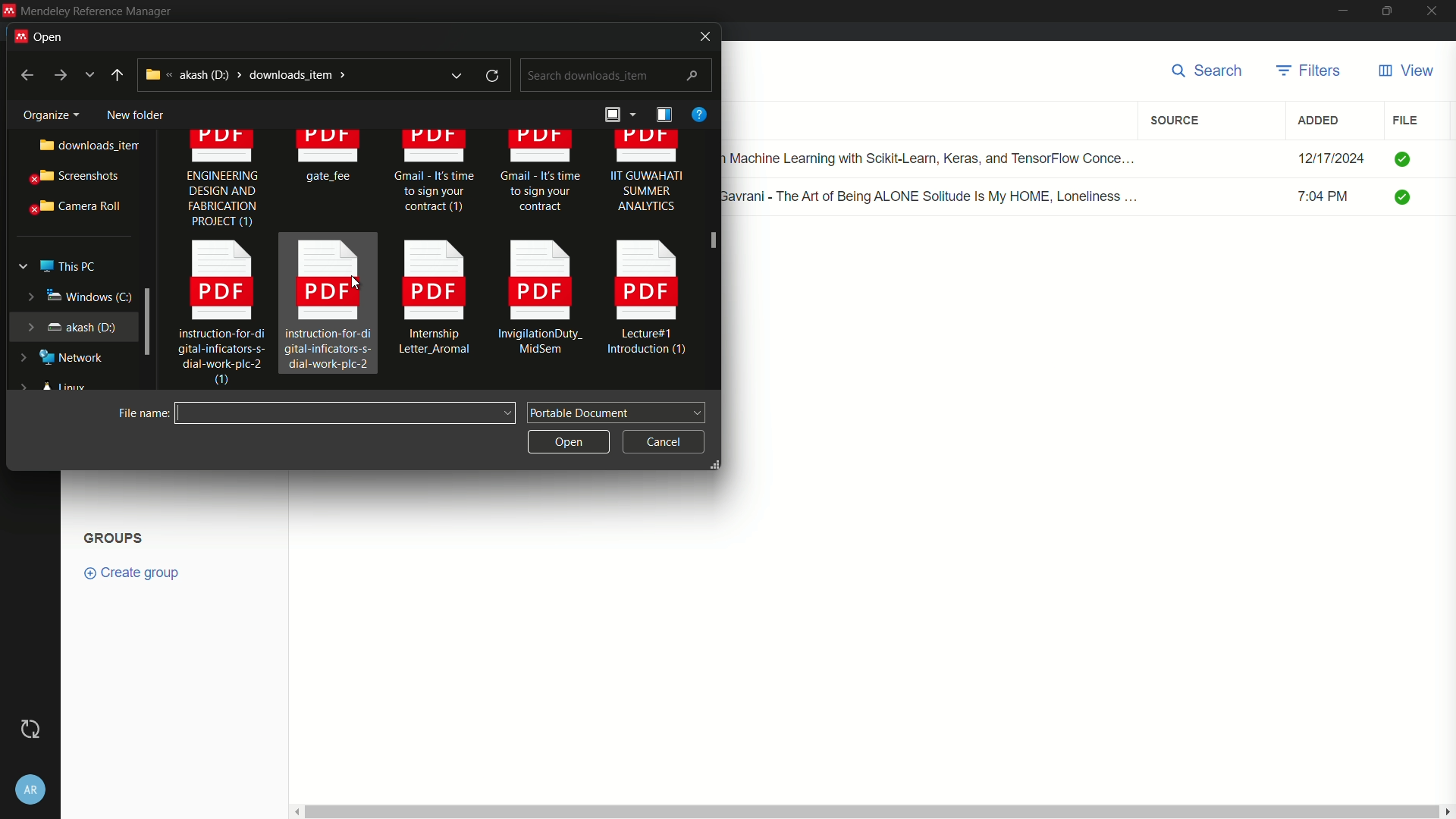 The width and height of the screenshot is (1456, 819). What do you see at coordinates (59, 76) in the screenshot?
I see `go to` at bounding box center [59, 76].